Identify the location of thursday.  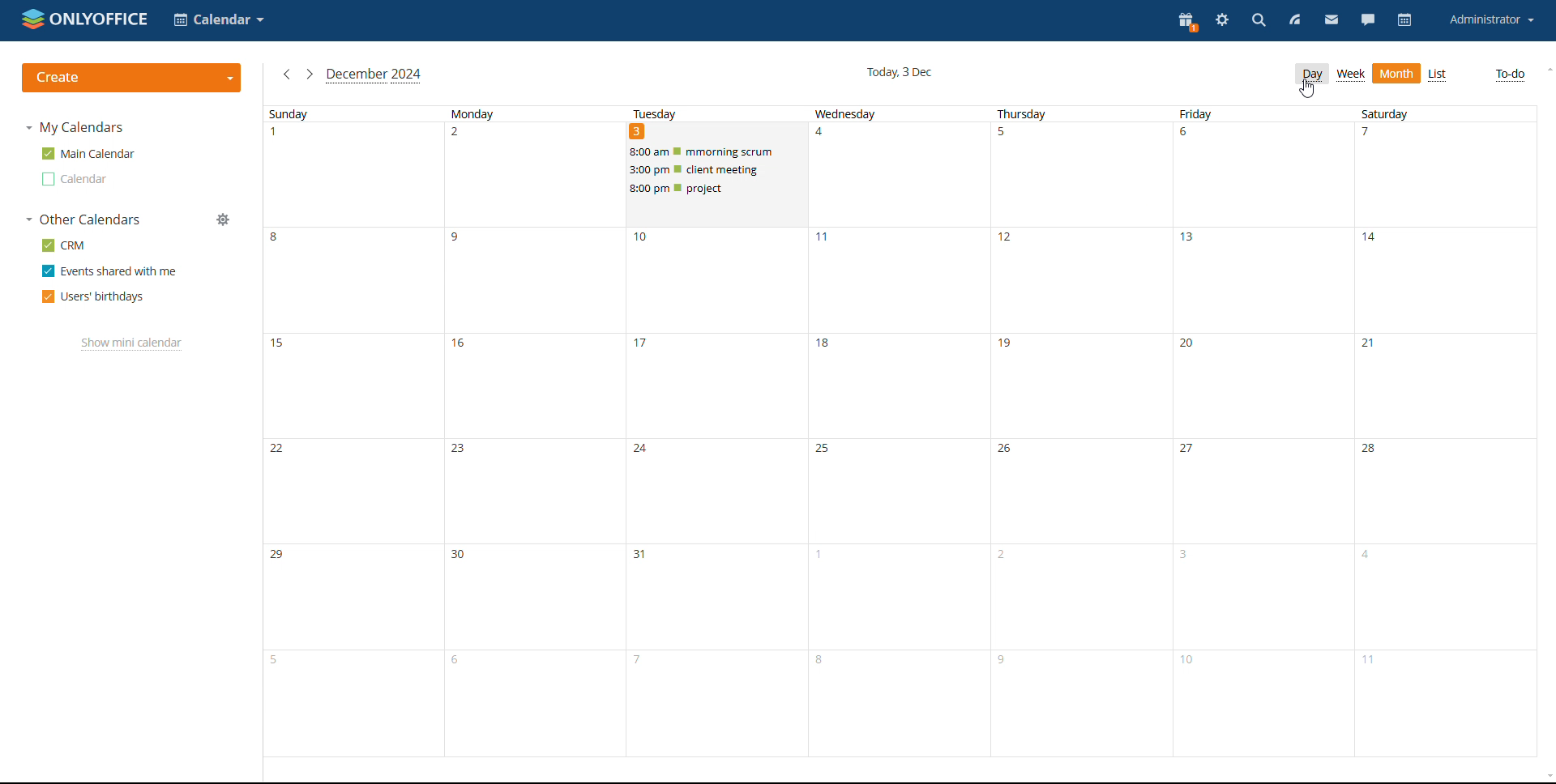
(1079, 431).